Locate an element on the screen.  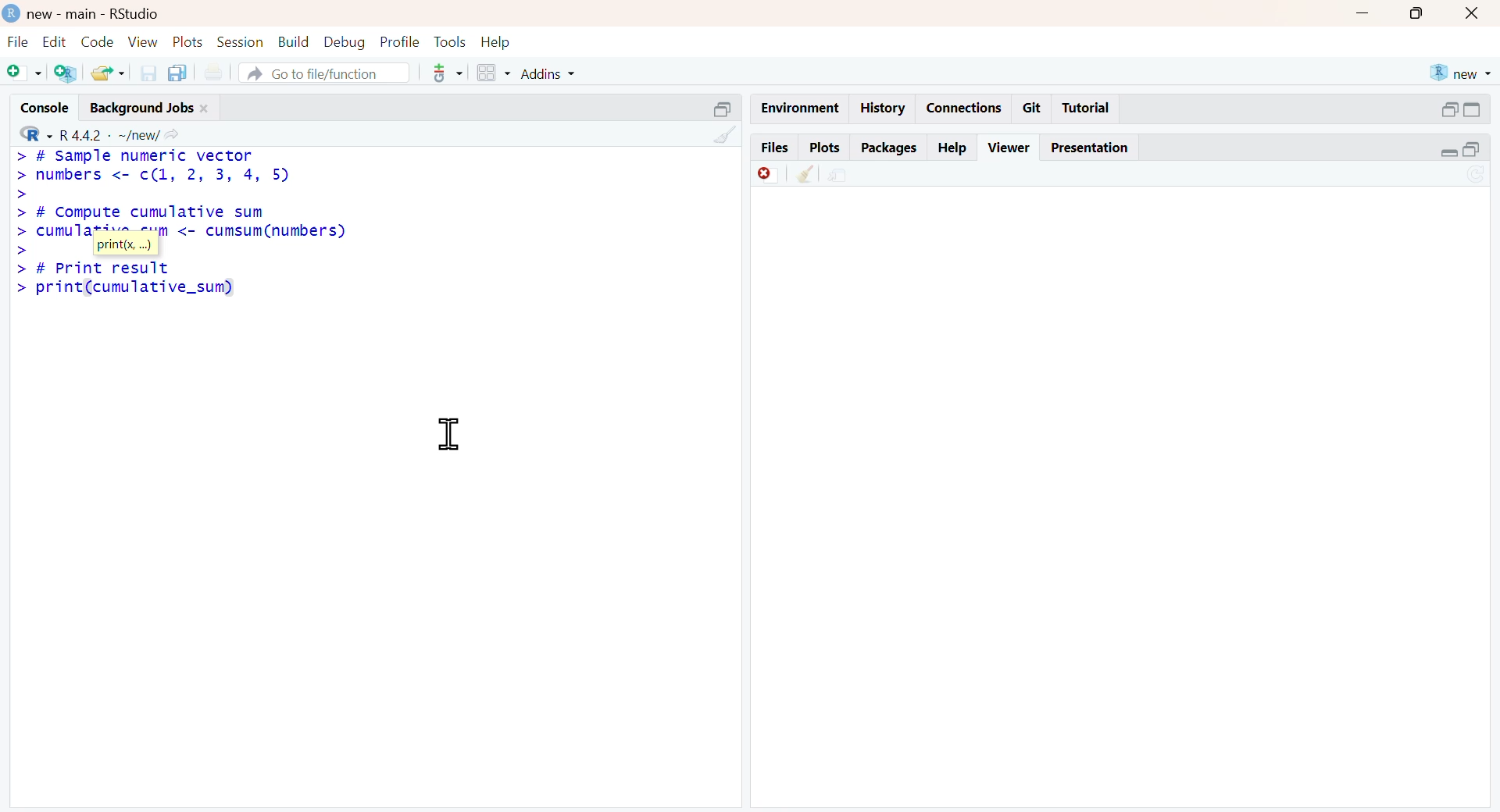
Share icon is located at coordinates (172, 133).